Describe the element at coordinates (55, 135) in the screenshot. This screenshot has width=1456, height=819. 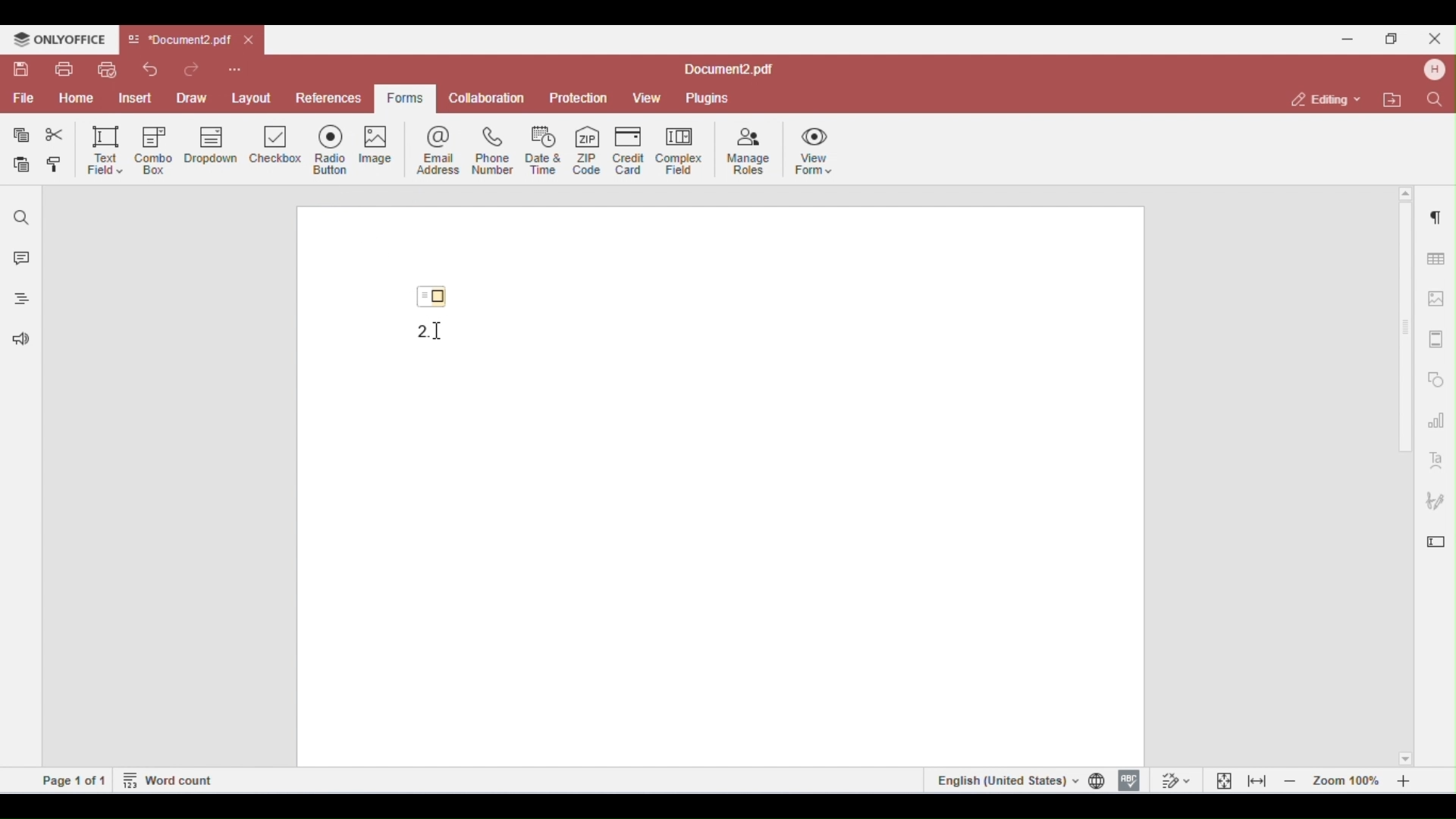
I see `cut` at that location.